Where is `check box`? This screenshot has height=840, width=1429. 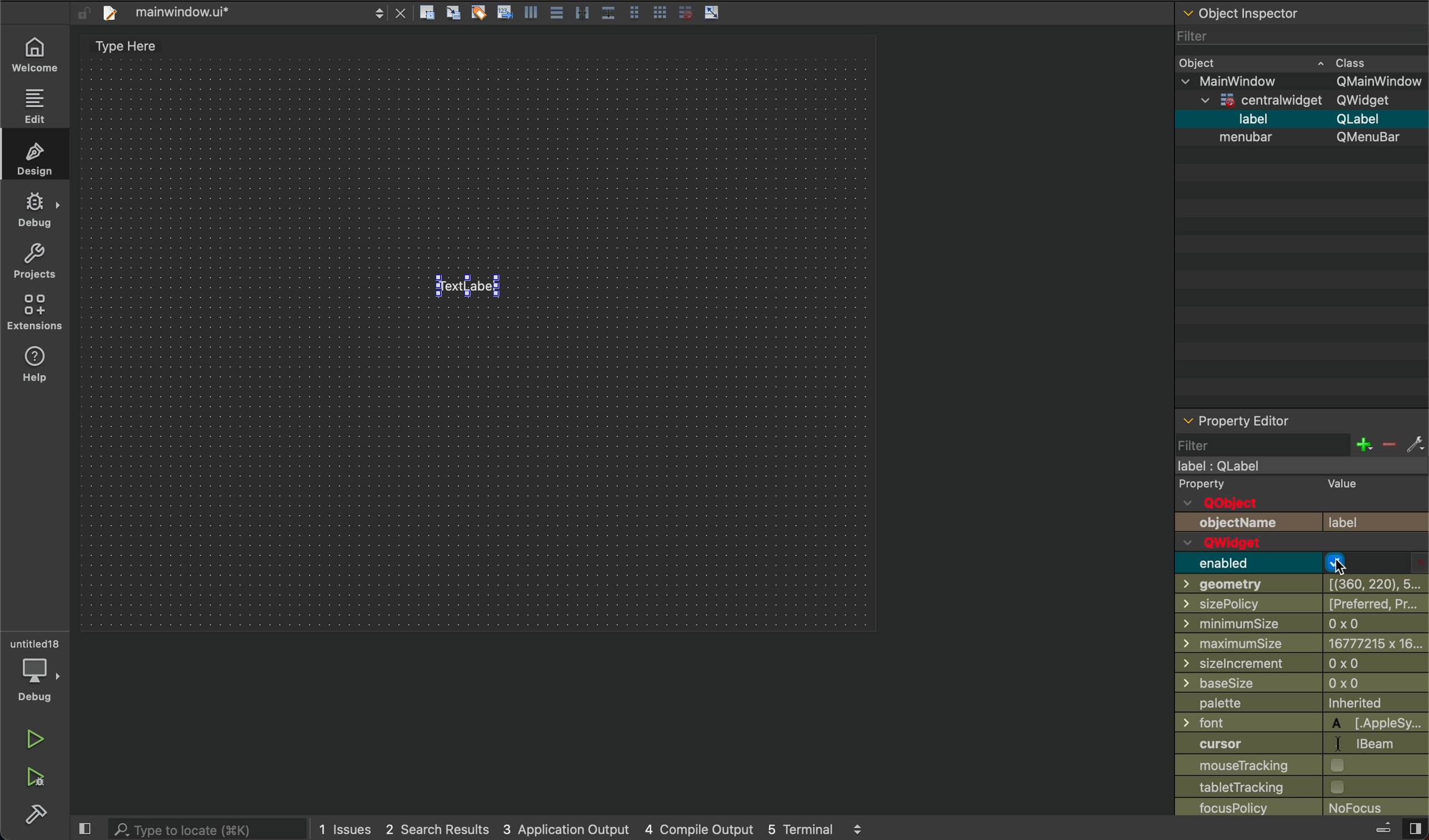 check box is located at coordinates (1342, 563).